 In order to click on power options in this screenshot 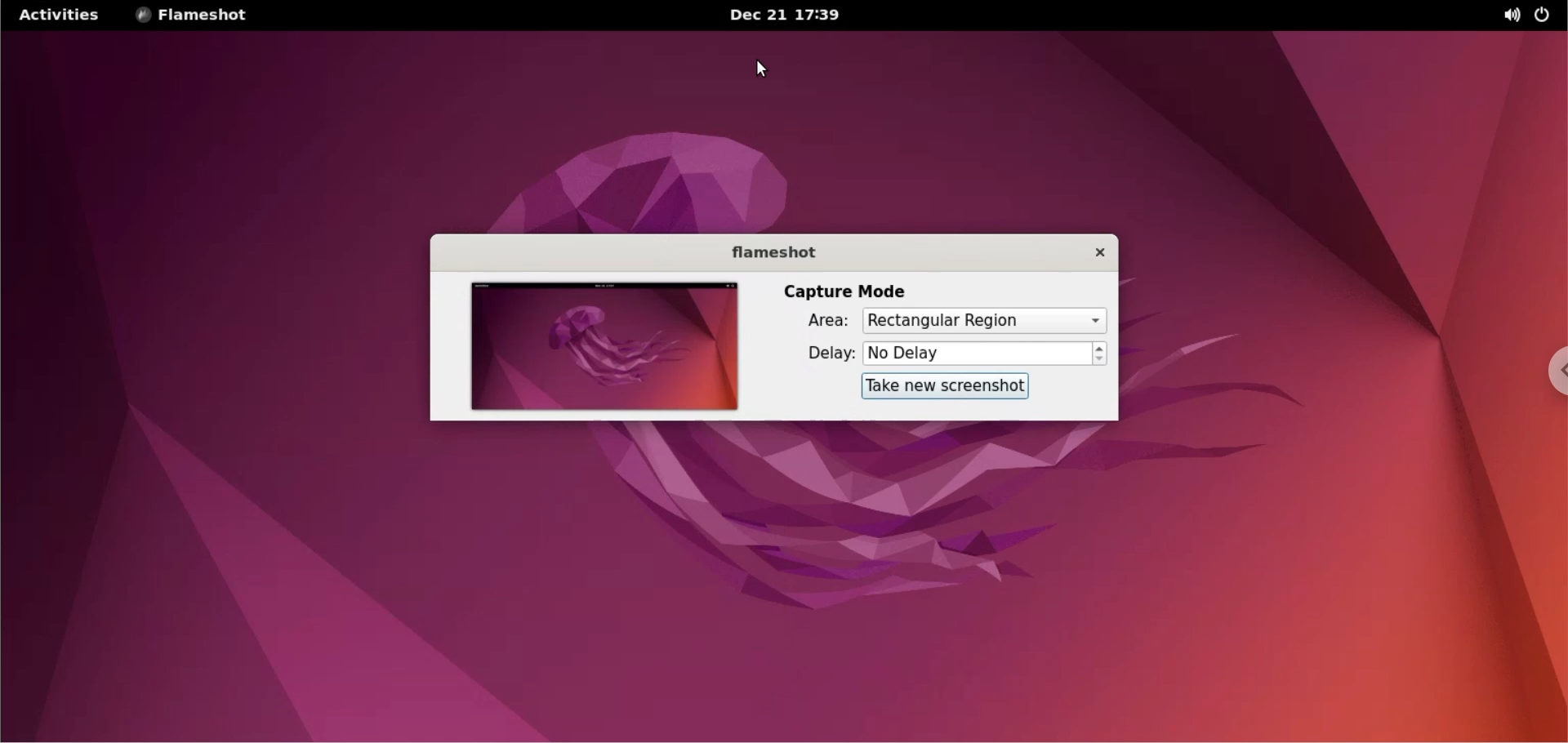, I will do `click(1545, 16)`.